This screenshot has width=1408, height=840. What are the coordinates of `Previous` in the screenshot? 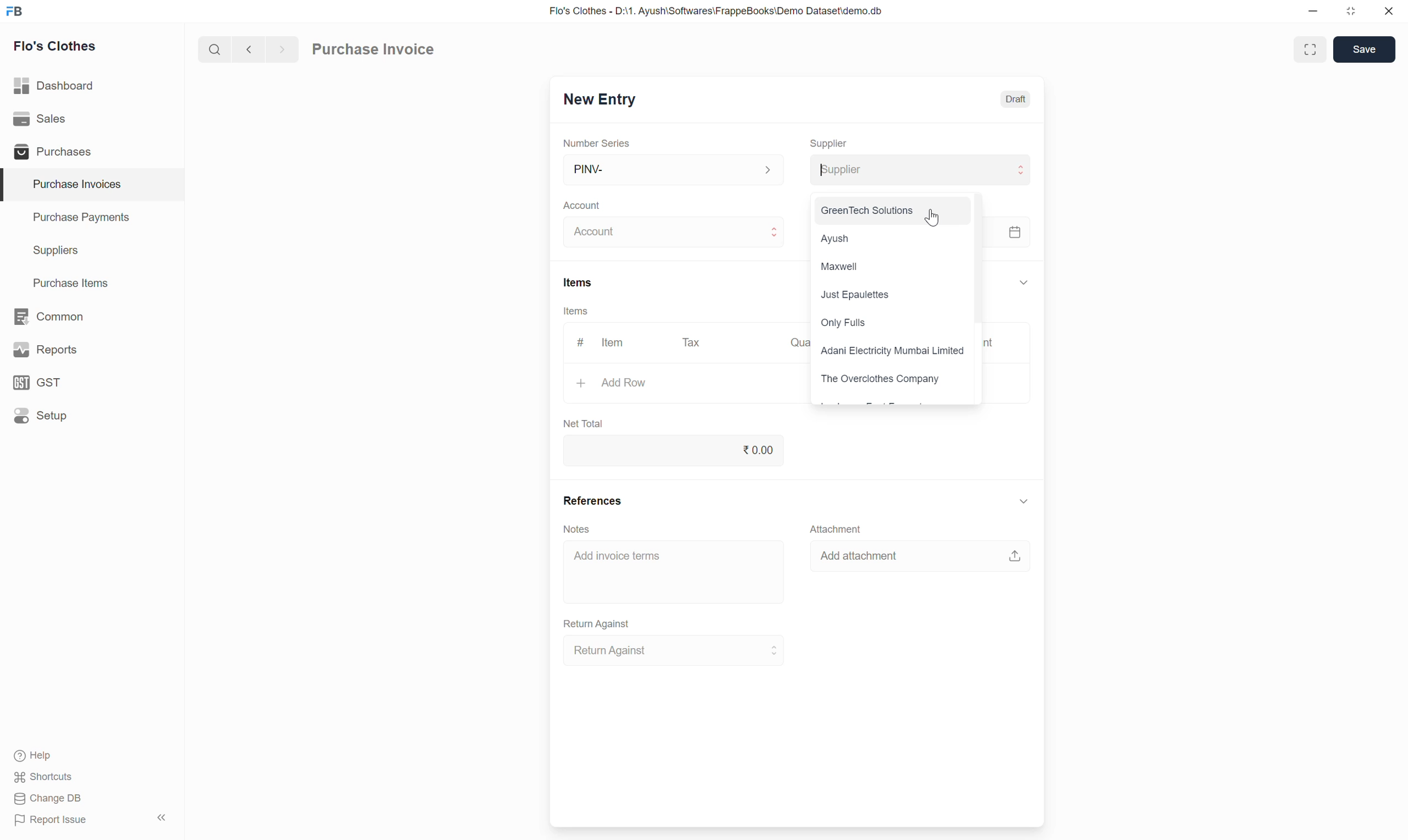 It's located at (249, 49).